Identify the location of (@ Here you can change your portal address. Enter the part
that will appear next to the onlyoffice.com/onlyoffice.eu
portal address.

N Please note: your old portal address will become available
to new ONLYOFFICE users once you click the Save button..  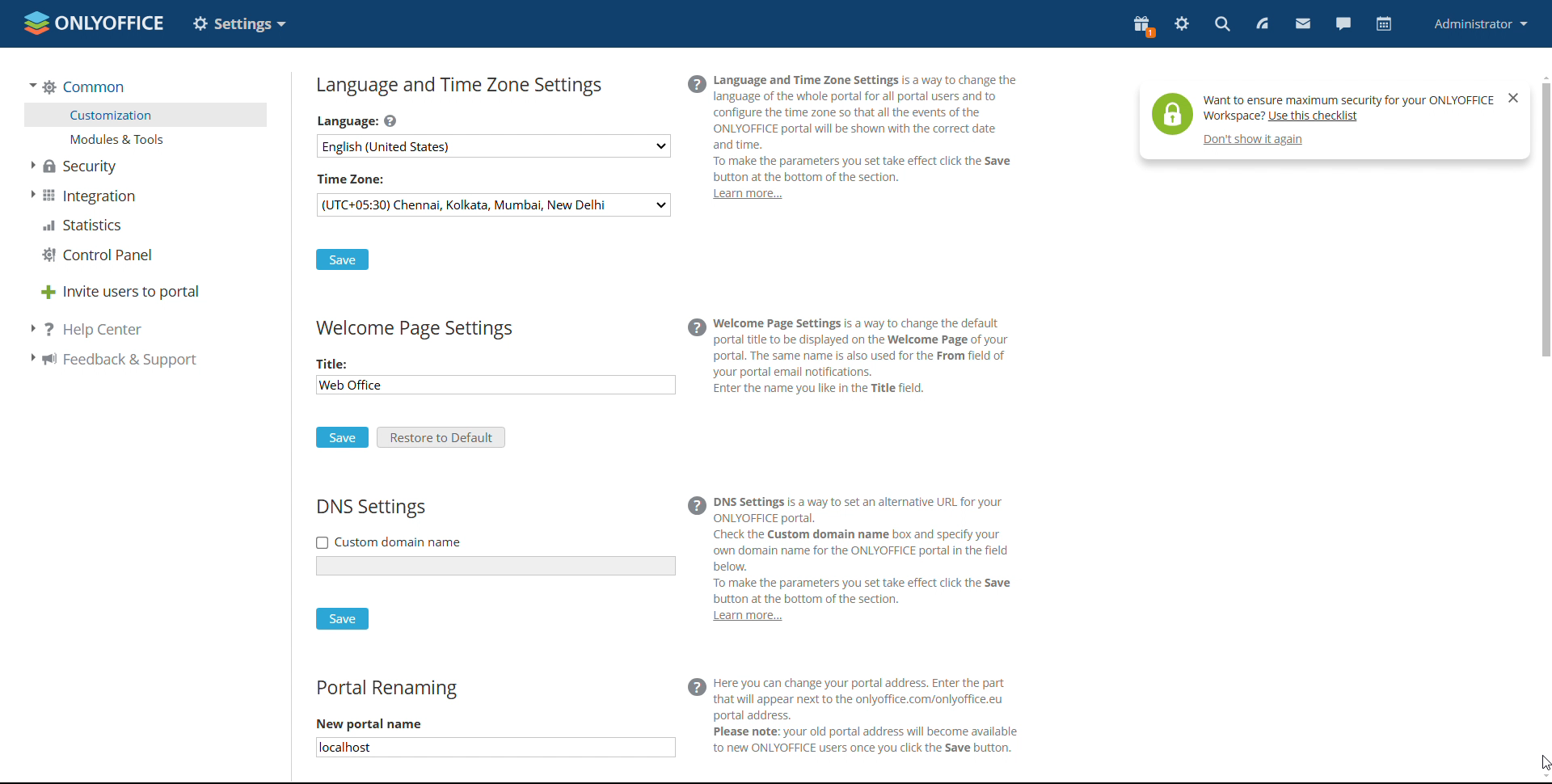
(876, 717).